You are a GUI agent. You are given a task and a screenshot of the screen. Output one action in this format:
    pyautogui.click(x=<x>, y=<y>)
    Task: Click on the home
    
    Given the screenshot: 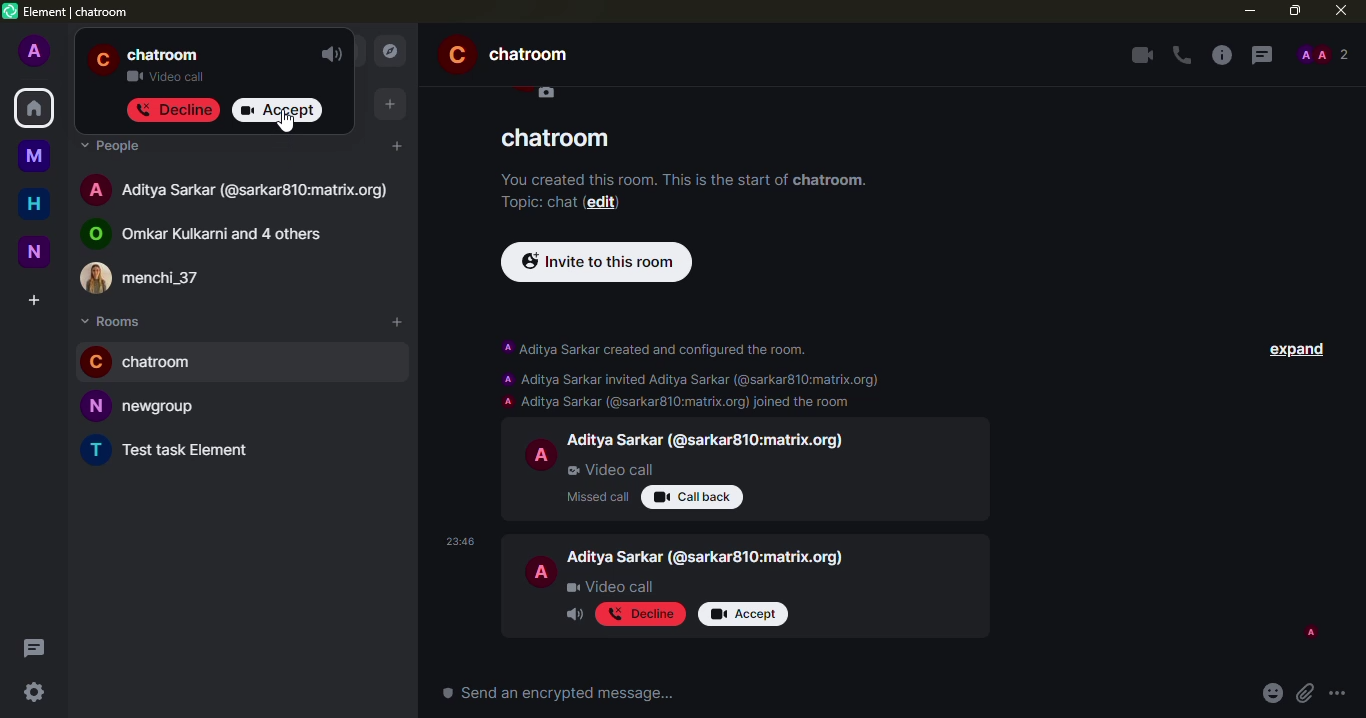 What is the action you would take?
    pyautogui.click(x=33, y=107)
    